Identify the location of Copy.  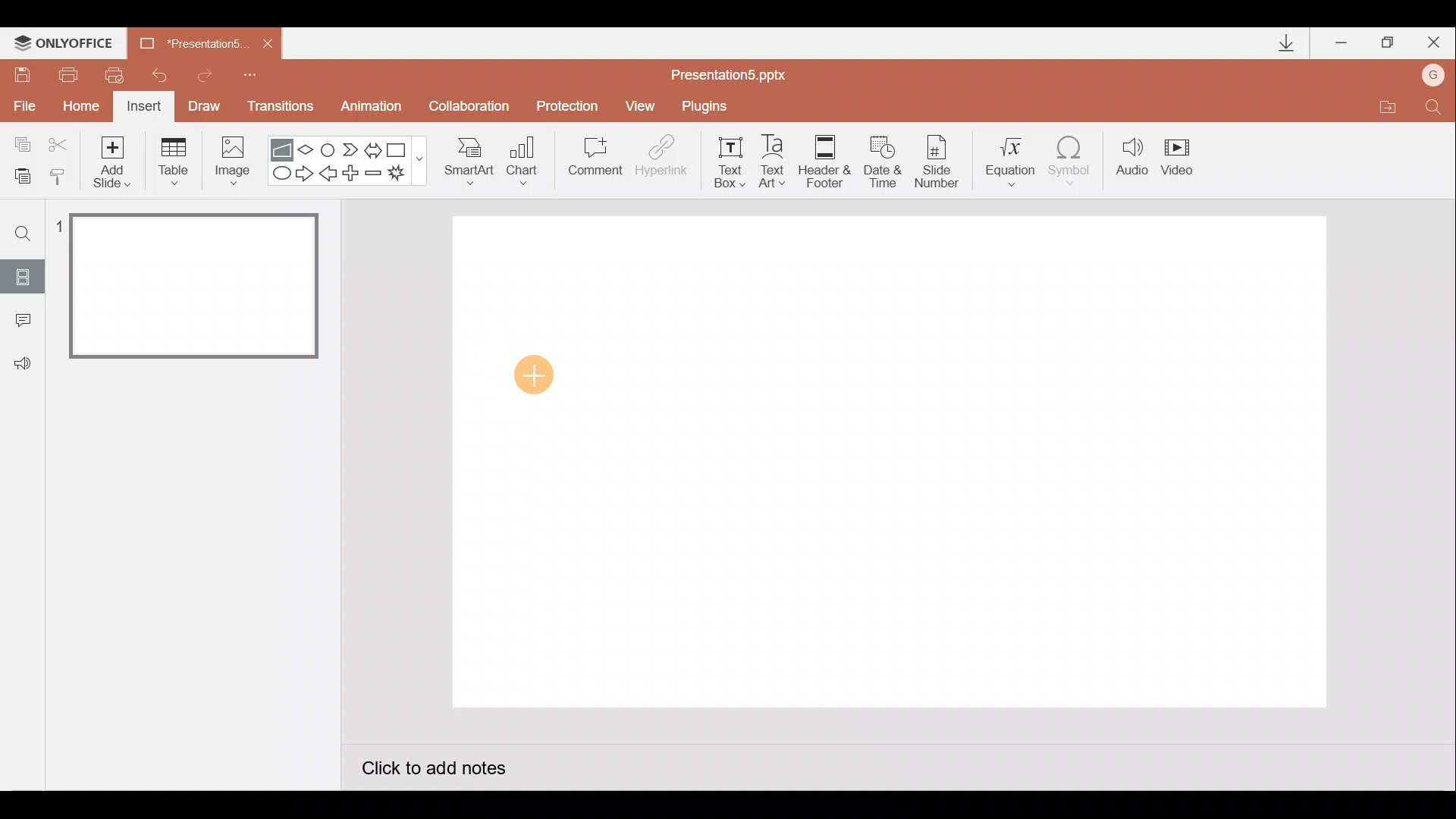
(20, 142).